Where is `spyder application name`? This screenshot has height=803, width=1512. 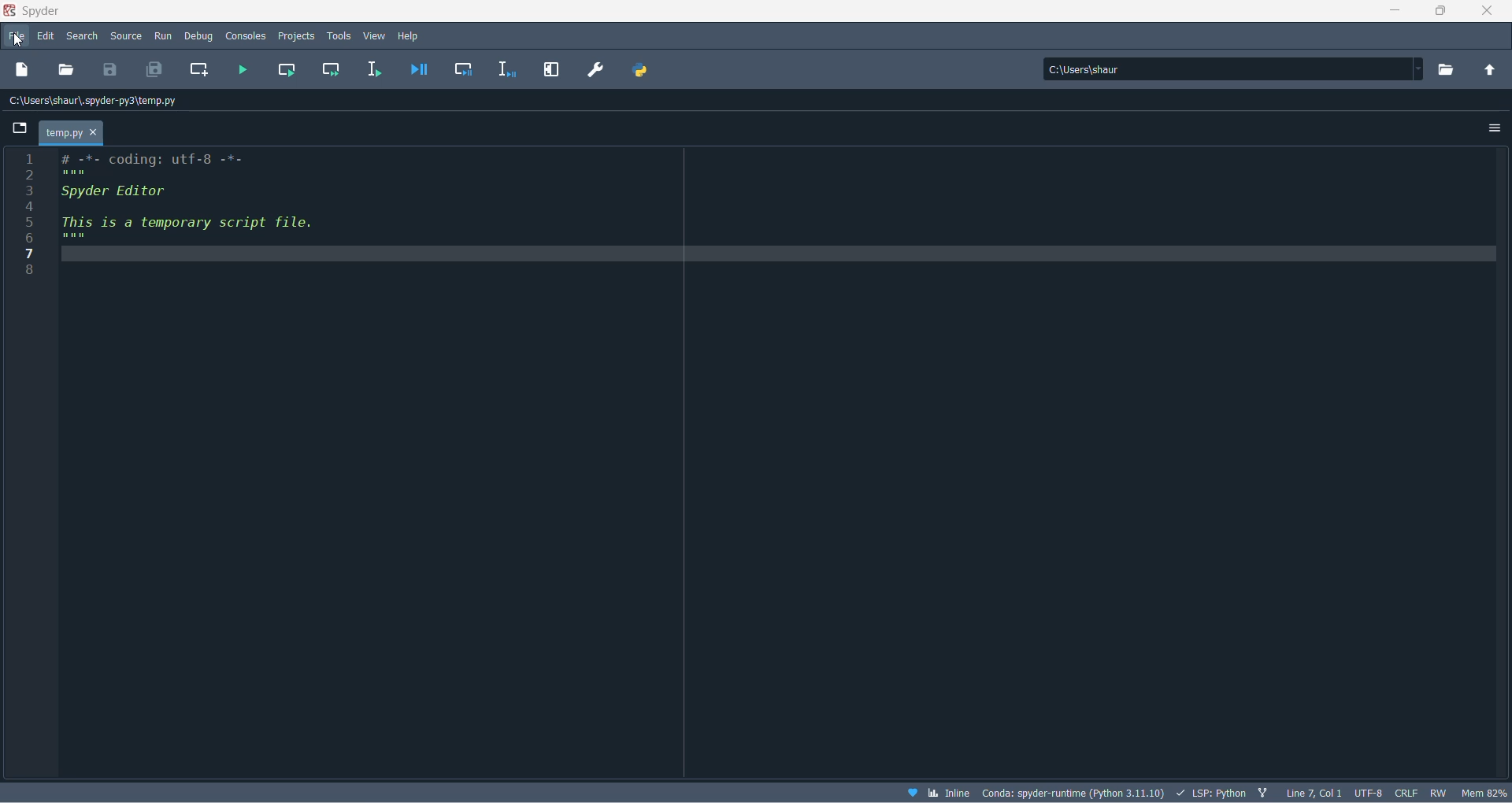
spyder application name is located at coordinates (34, 12).